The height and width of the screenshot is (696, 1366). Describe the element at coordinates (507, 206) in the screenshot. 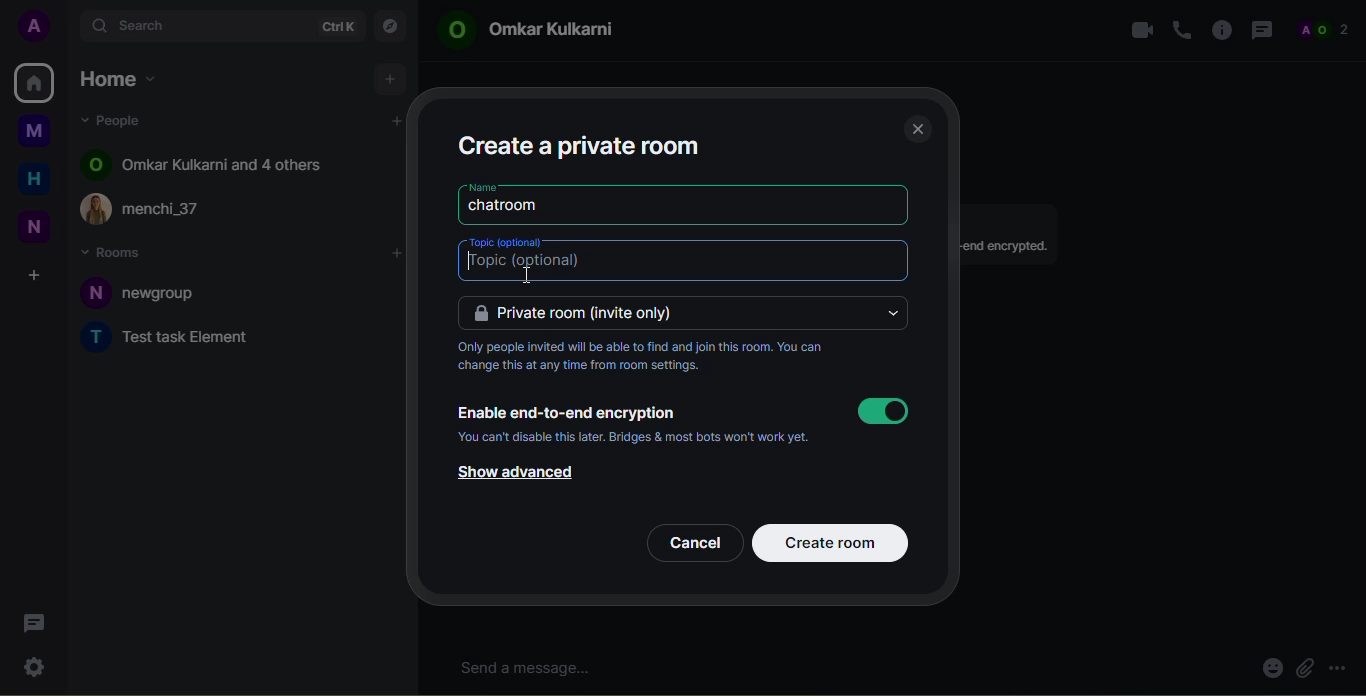

I see `chatroom` at that location.